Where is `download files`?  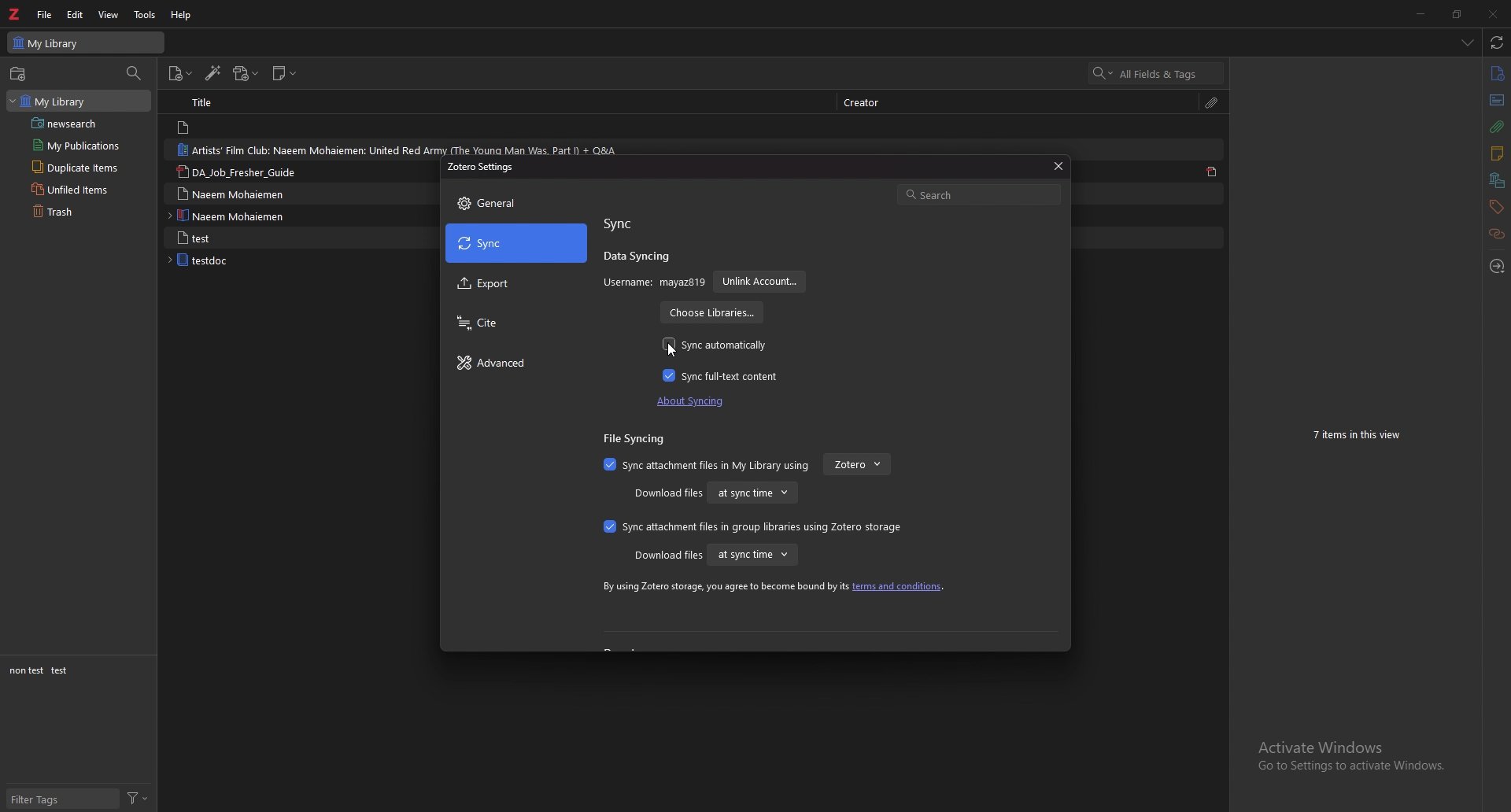
download files is located at coordinates (667, 555).